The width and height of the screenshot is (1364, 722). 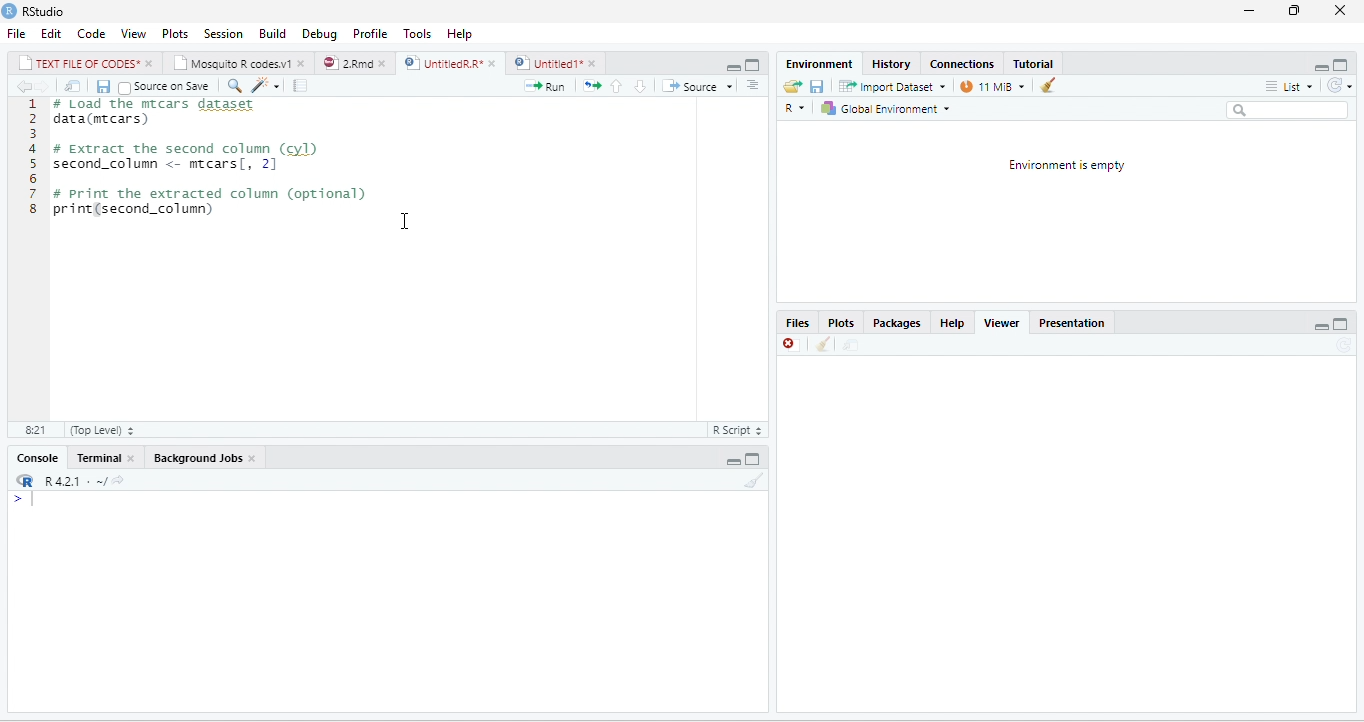 I want to click on R, so click(x=798, y=108).